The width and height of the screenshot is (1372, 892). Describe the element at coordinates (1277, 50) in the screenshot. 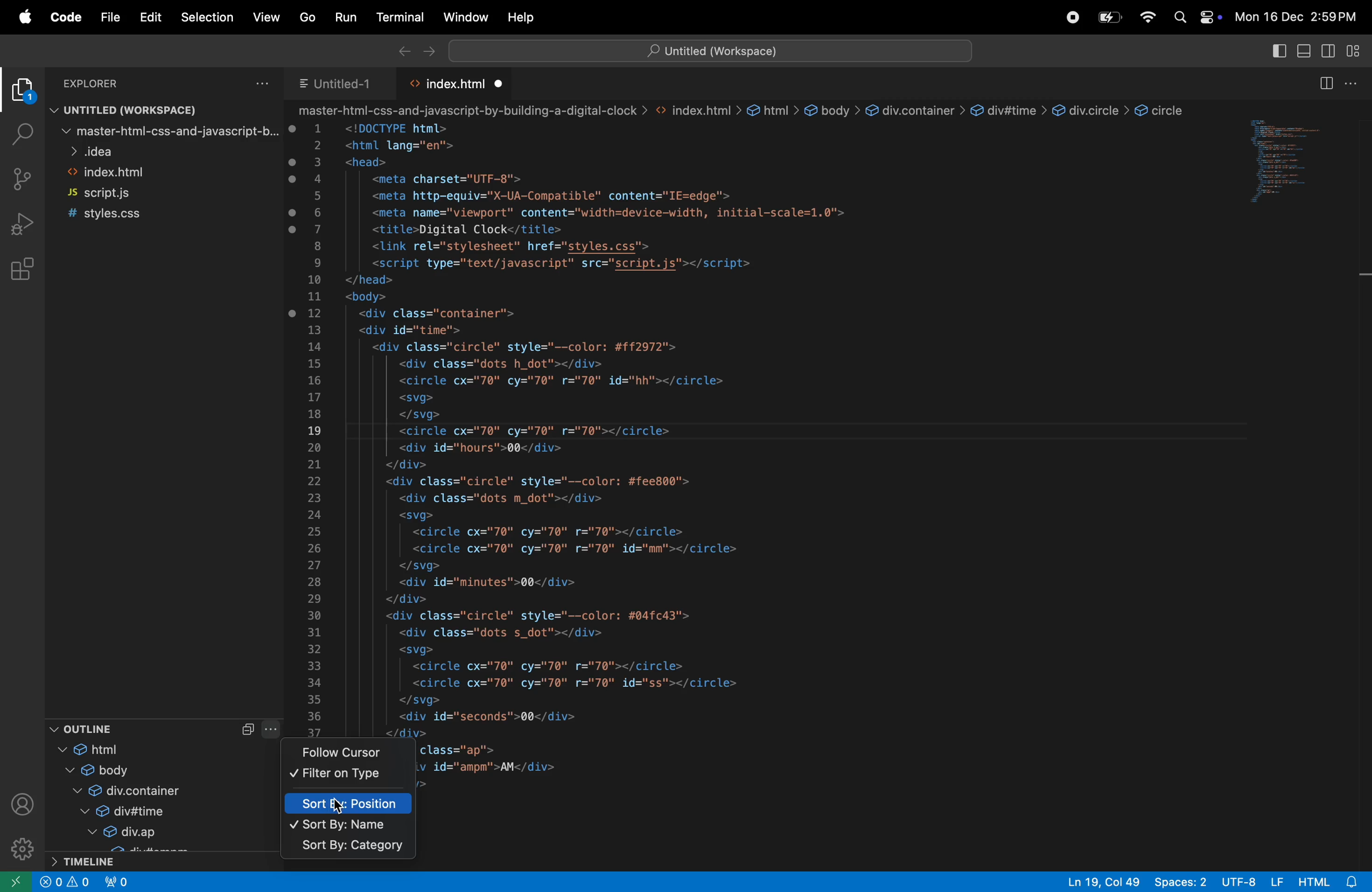

I see `toggle primary side bar` at that location.